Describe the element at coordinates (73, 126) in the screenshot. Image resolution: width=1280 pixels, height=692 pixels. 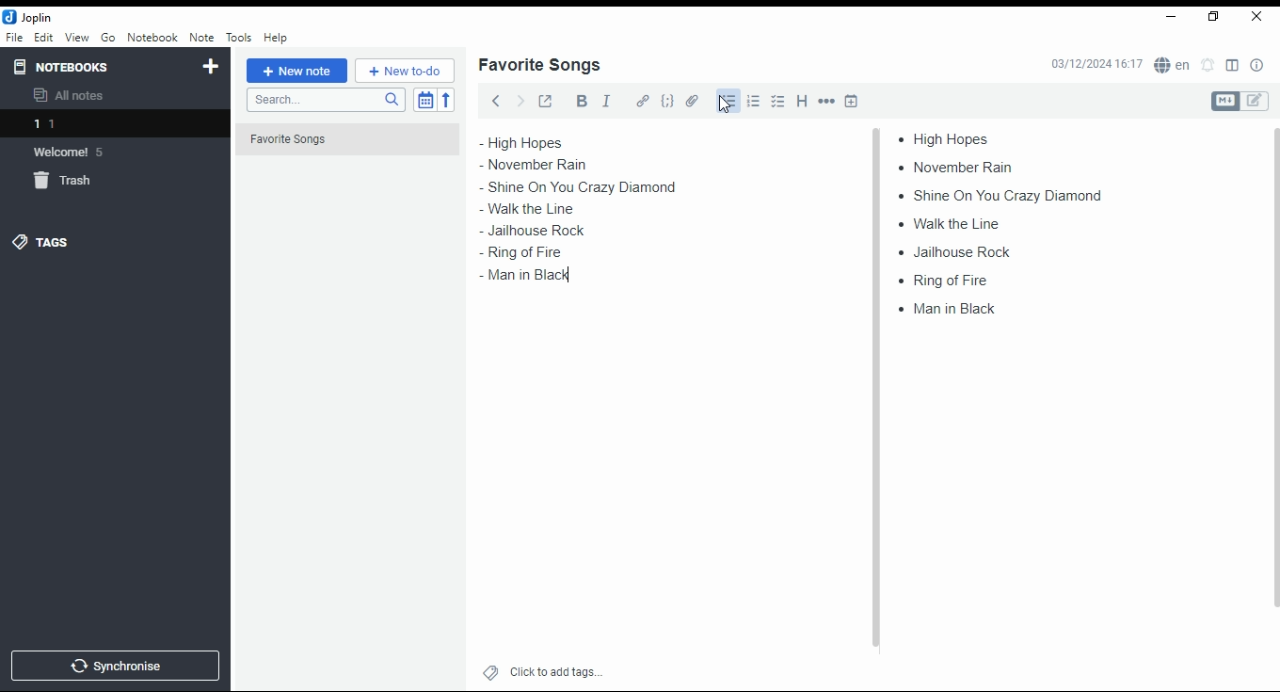
I see `notebook 1` at that location.